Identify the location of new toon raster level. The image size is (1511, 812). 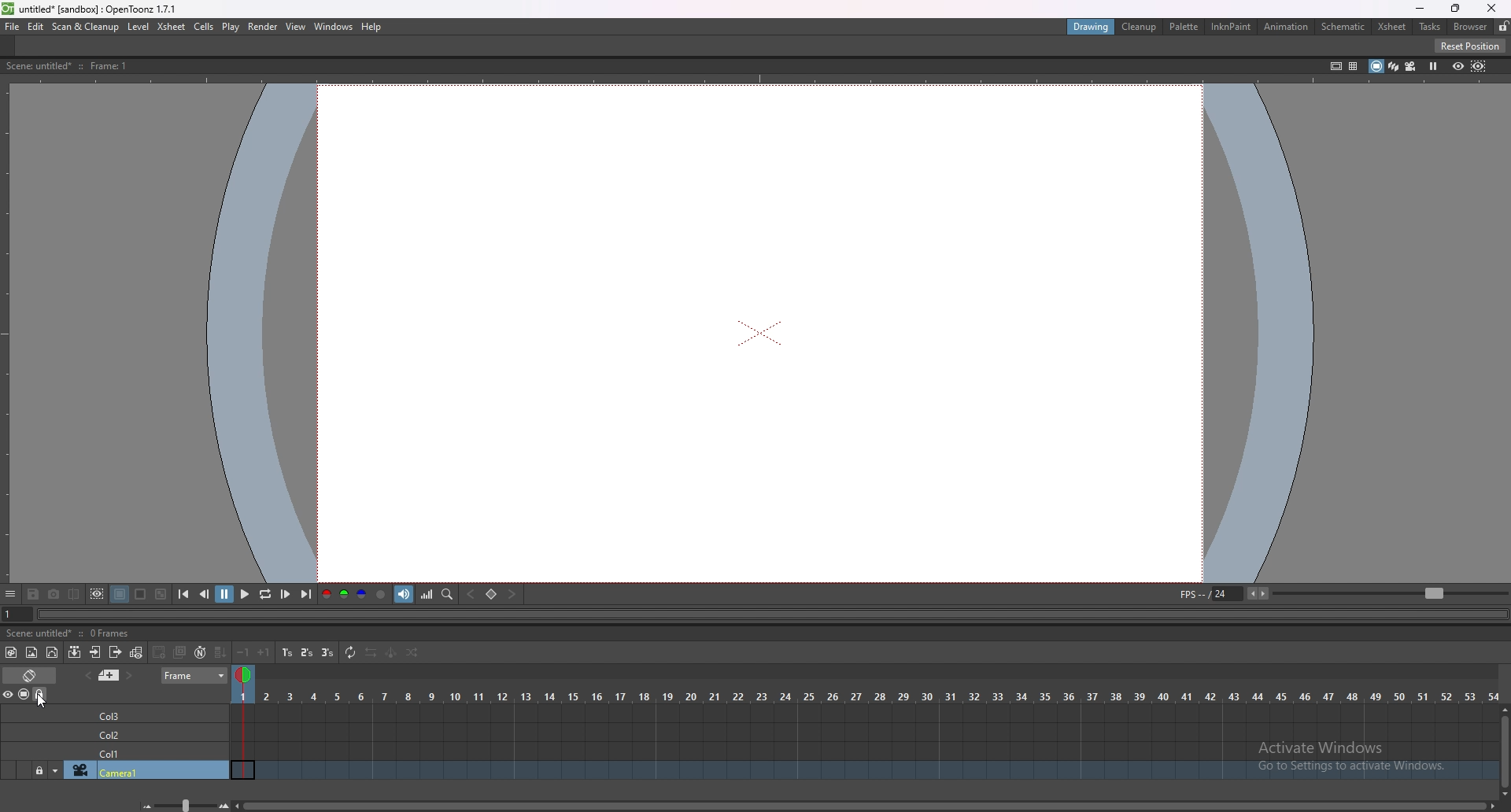
(12, 652).